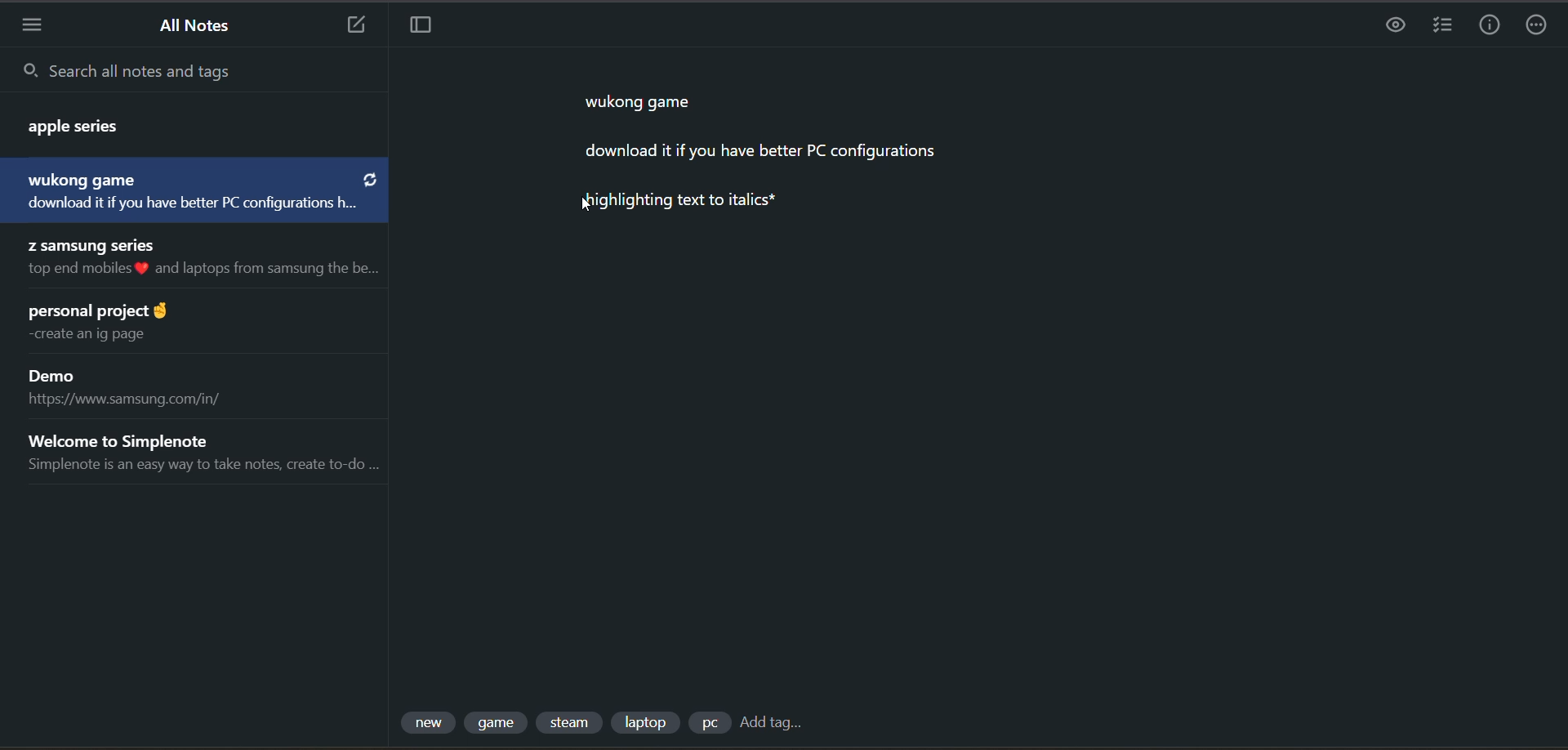 The width and height of the screenshot is (1568, 750). Describe the element at coordinates (1541, 27) in the screenshot. I see `actions` at that location.